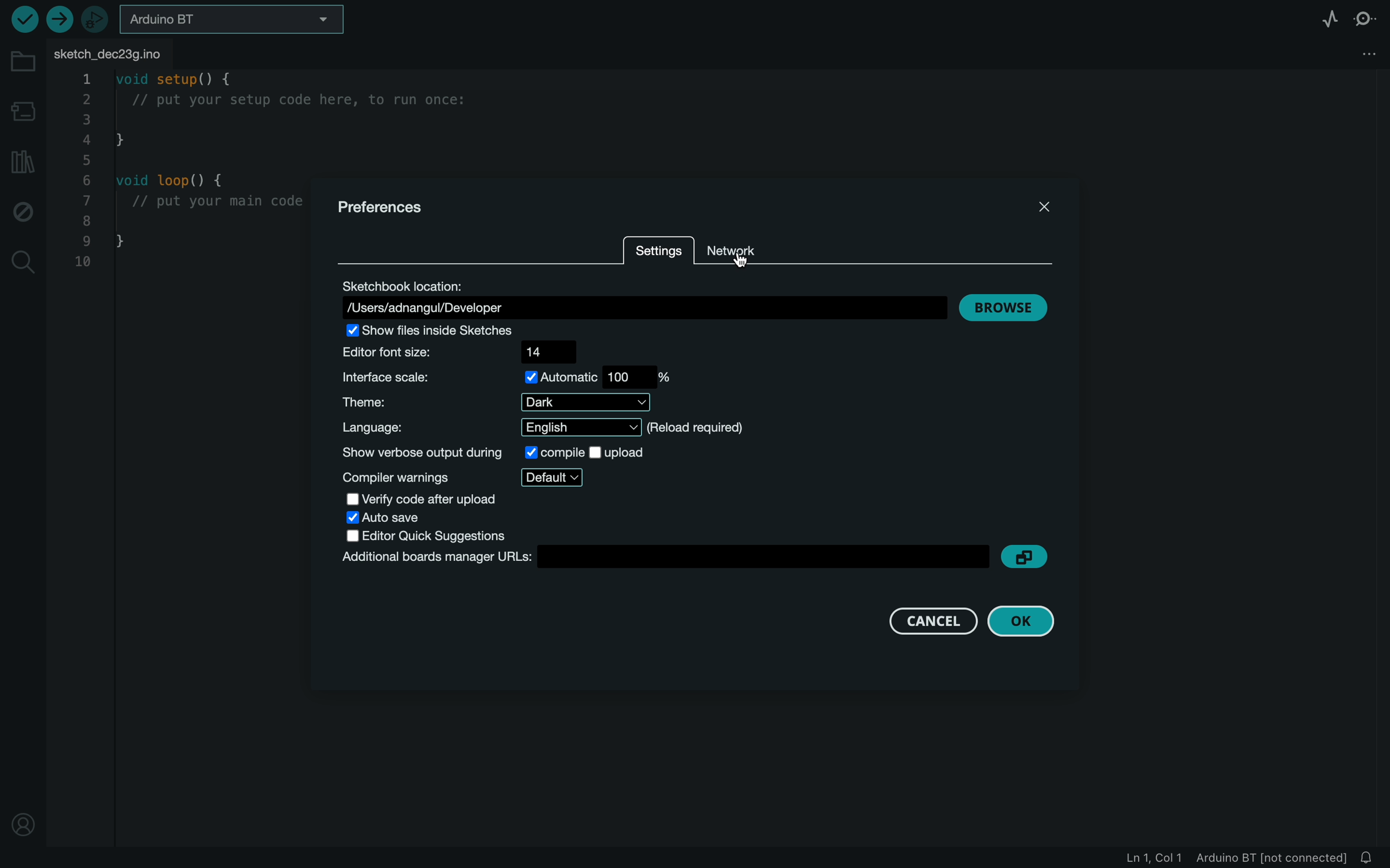 This screenshot has height=868, width=1390. What do you see at coordinates (1027, 621) in the screenshot?
I see `ok` at bounding box center [1027, 621].